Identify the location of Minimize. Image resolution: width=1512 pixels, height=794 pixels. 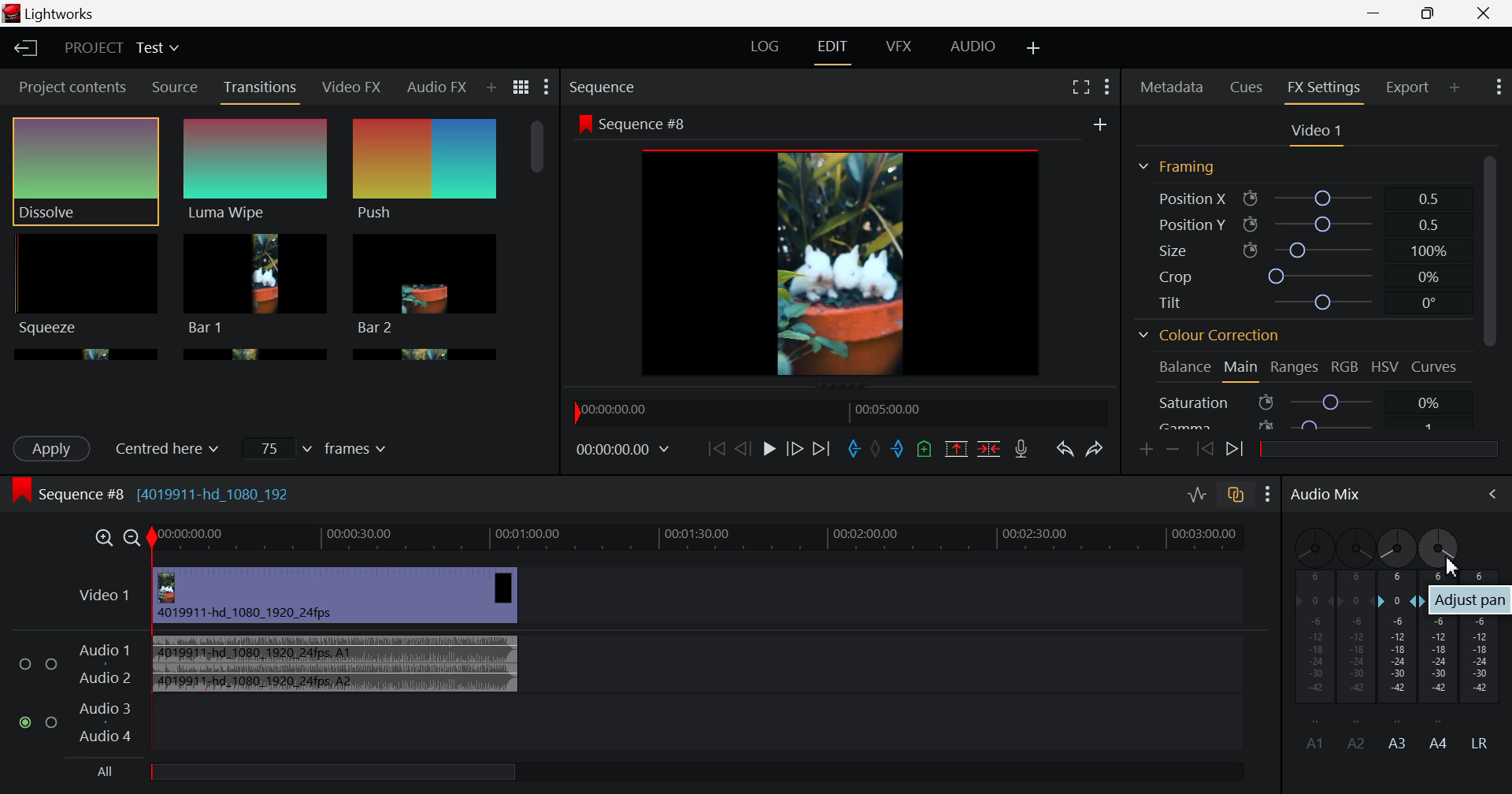
(1432, 13).